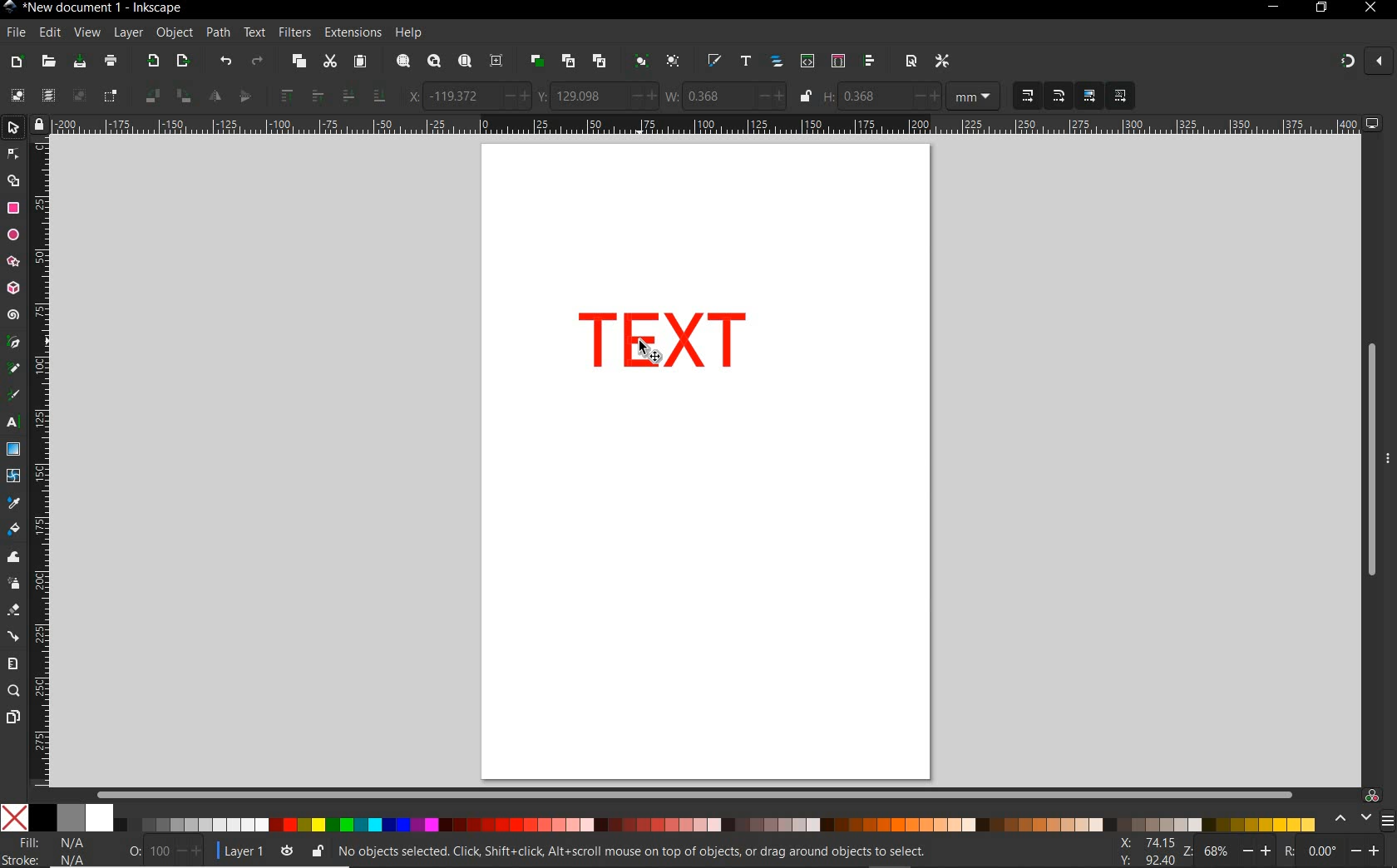  Describe the element at coordinates (151, 62) in the screenshot. I see `IMPORT` at that location.